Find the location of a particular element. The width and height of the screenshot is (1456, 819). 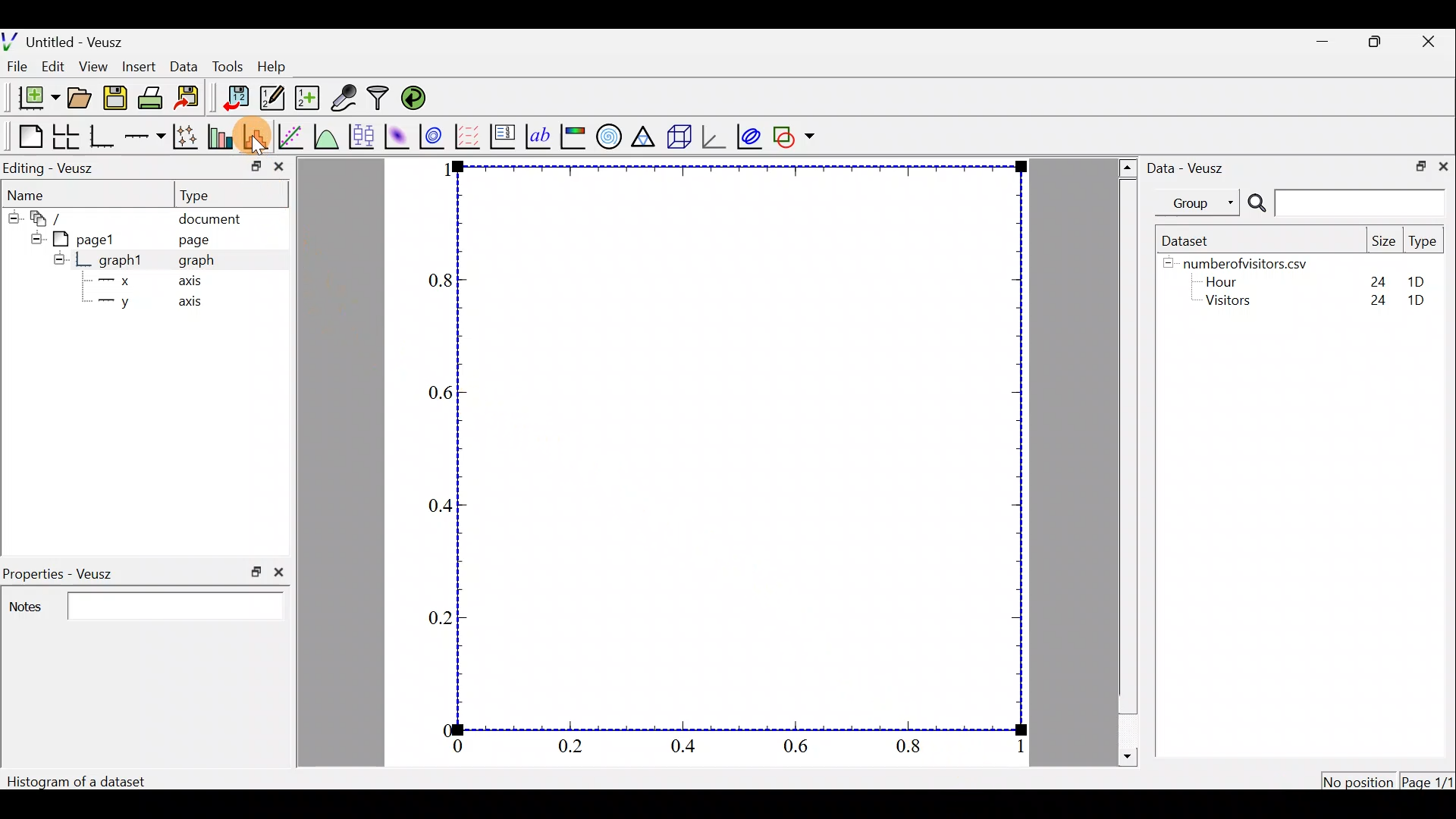

Type is located at coordinates (1423, 240).